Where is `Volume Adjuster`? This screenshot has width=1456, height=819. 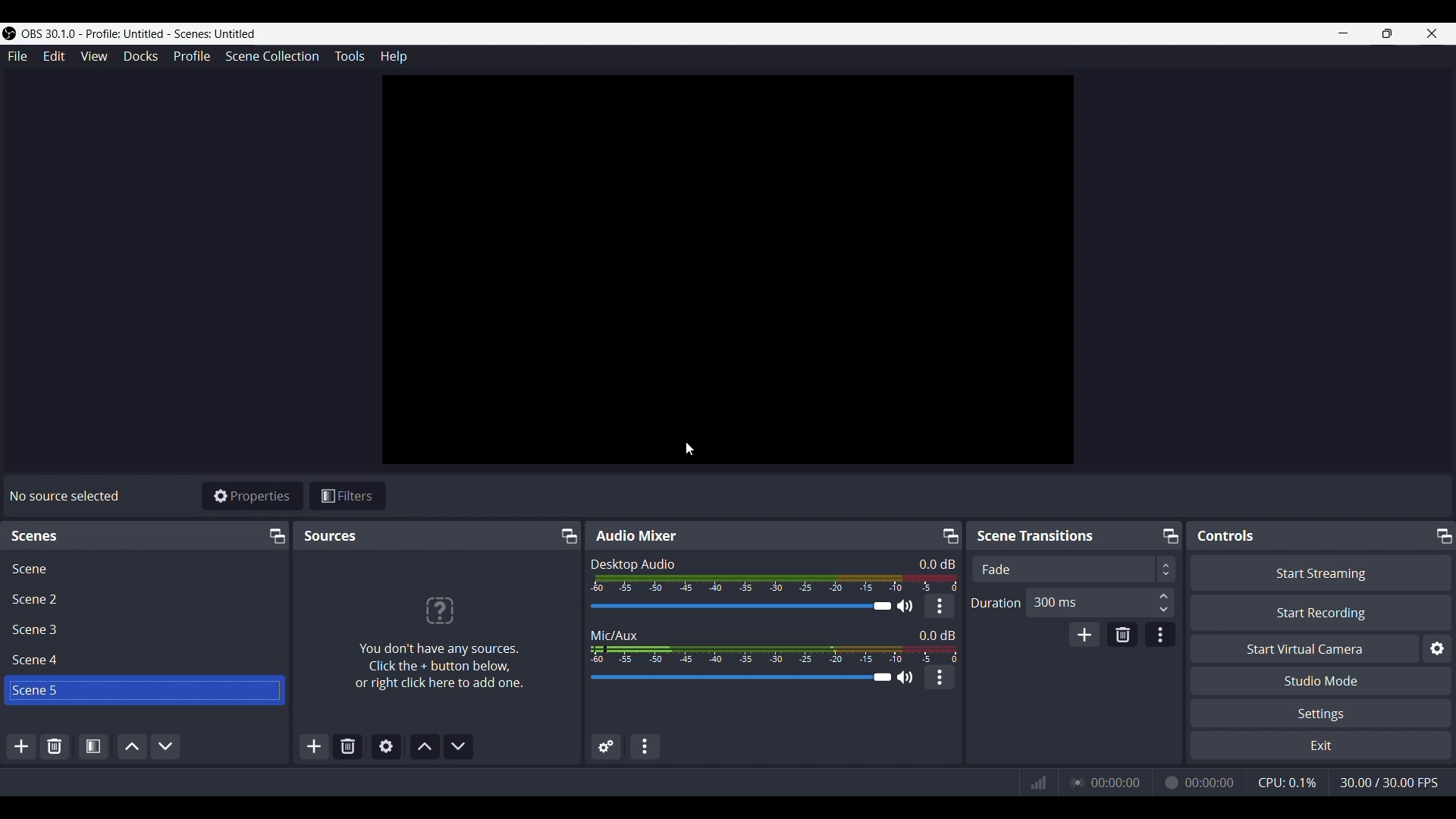 Volume Adjuster is located at coordinates (749, 678).